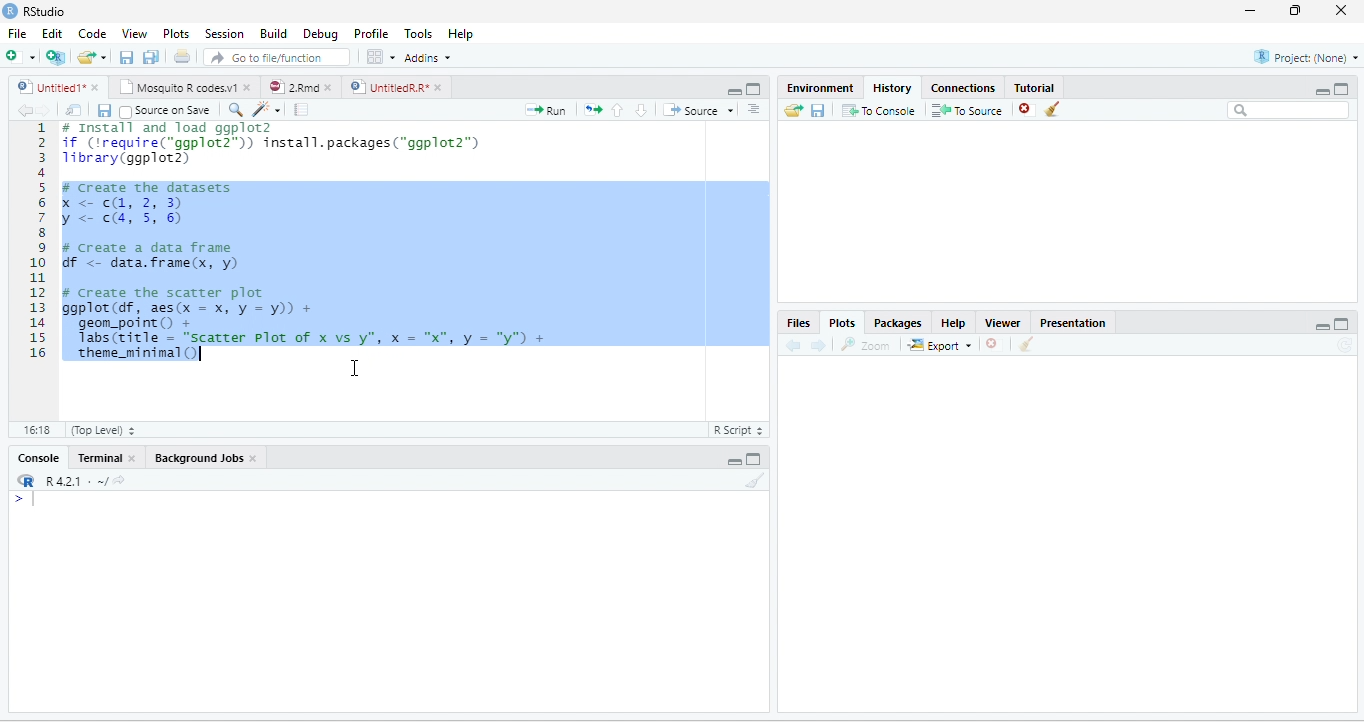 This screenshot has width=1364, height=722. What do you see at coordinates (119, 479) in the screenshot?
I see `View the current working directory` at bounding box center [119, 479].